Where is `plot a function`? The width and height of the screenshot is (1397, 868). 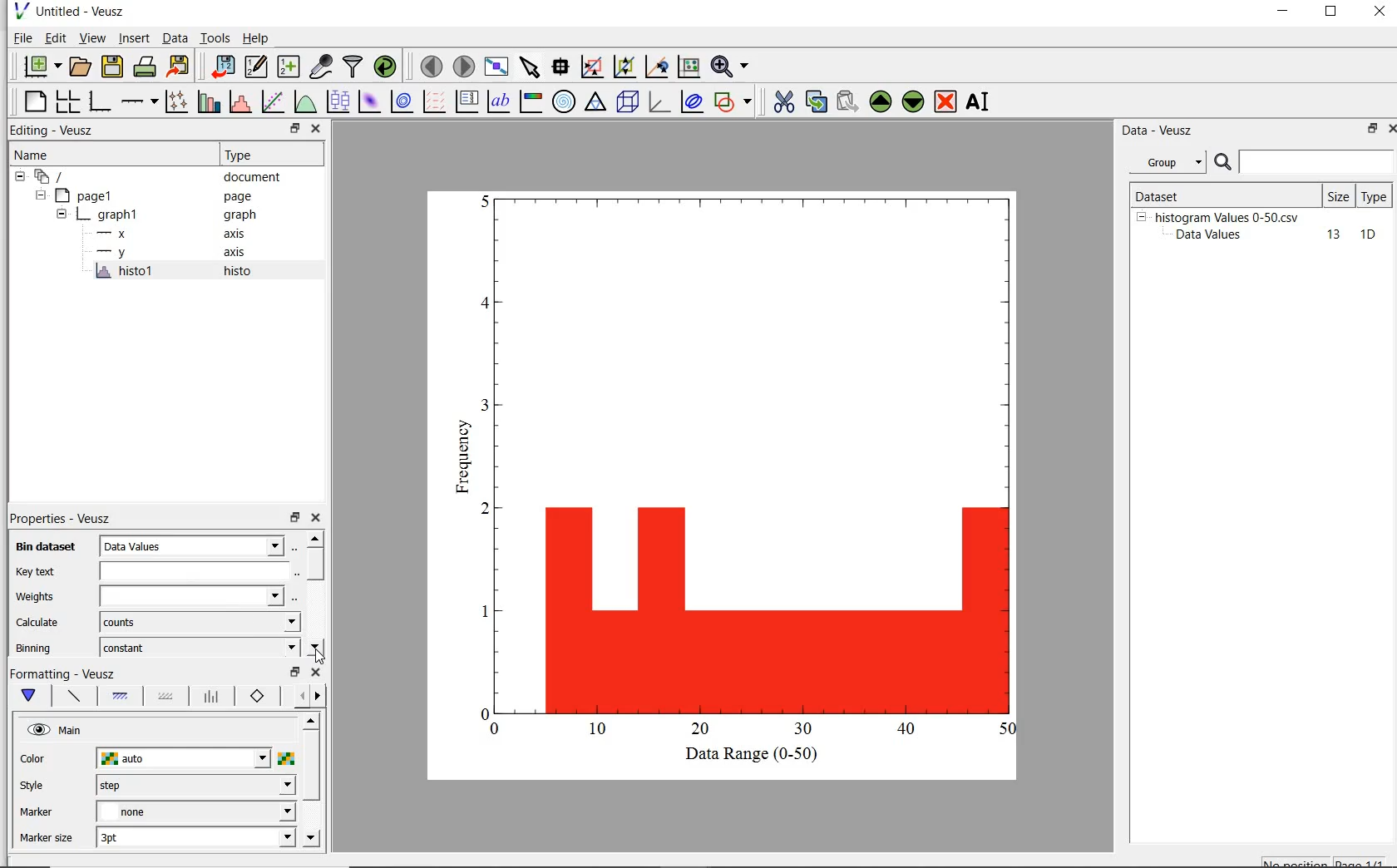 plot a function is located at coordinates (304, 101).